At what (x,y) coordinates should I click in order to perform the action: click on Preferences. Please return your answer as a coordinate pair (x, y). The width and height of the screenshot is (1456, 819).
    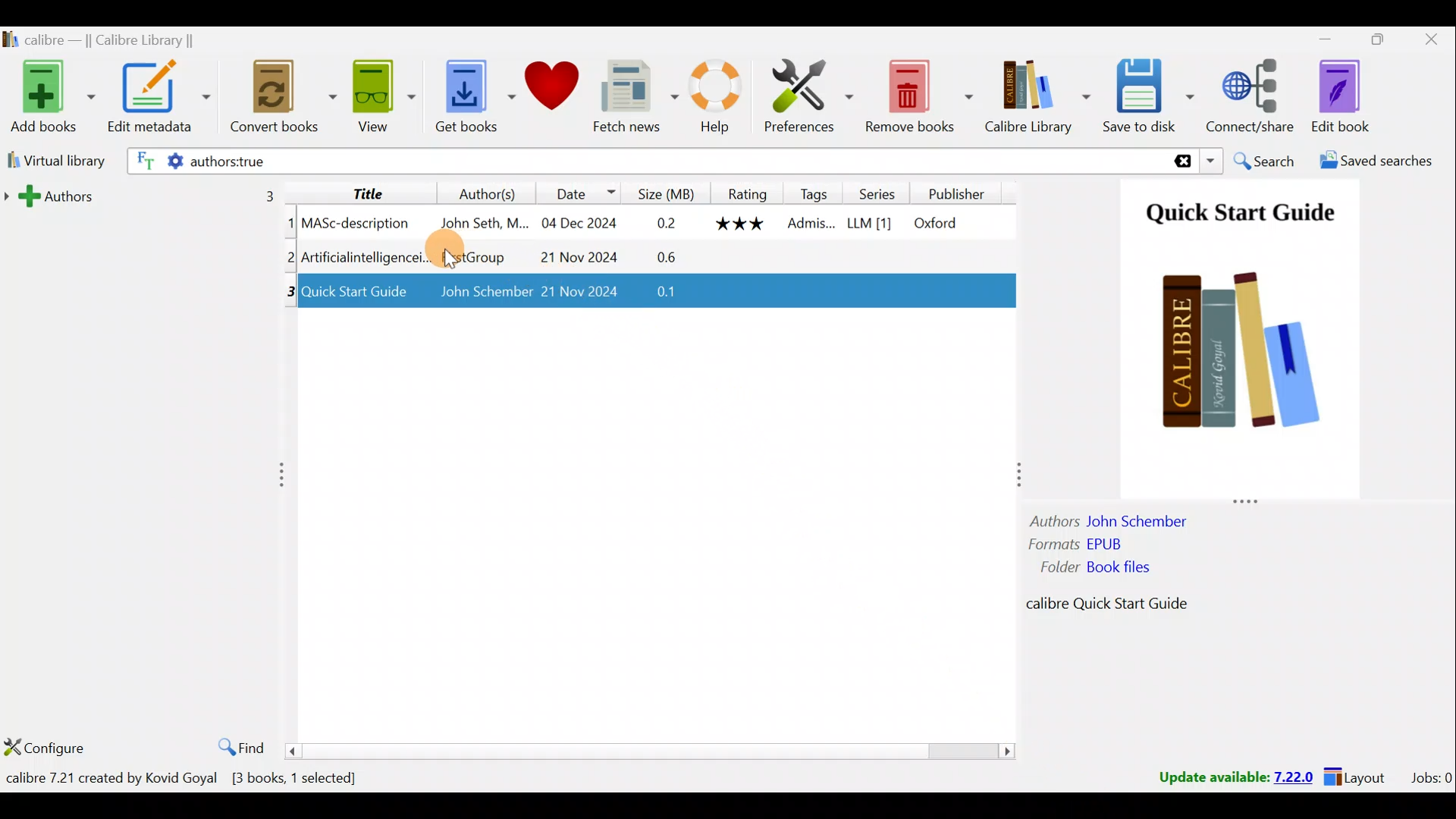
    Looking at the image, I should click on (802, 99).